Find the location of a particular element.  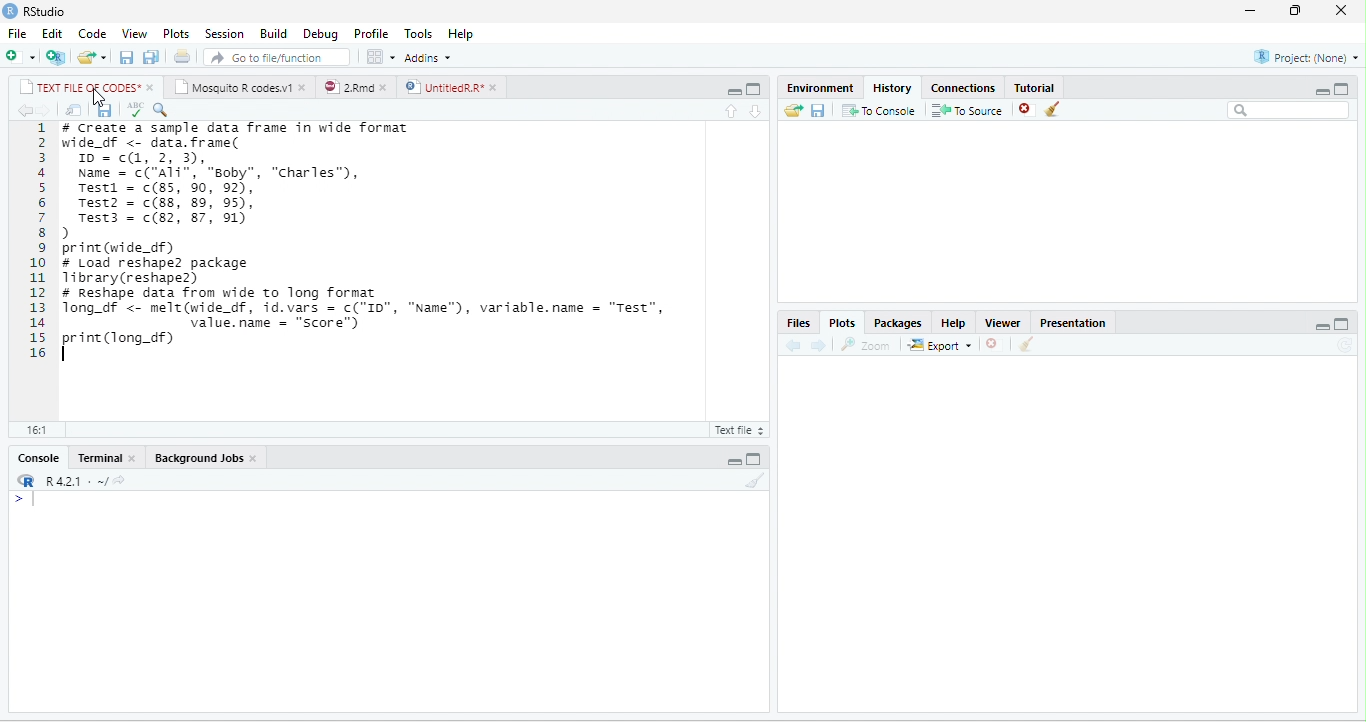

minimize is located at coordinates (1249, 12).